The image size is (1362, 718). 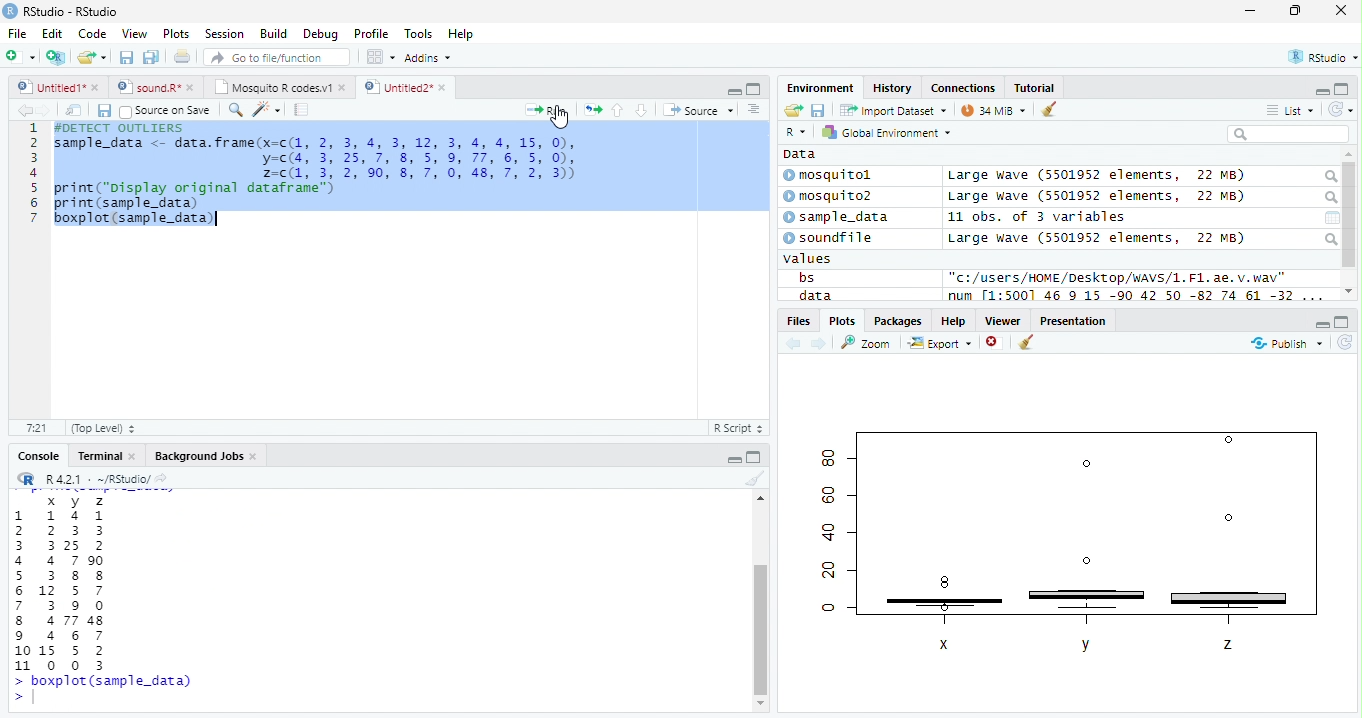 What do you see at coordinates (11, 11) in the screenshot?
I see `Logo` at bounding box center [11, 11].